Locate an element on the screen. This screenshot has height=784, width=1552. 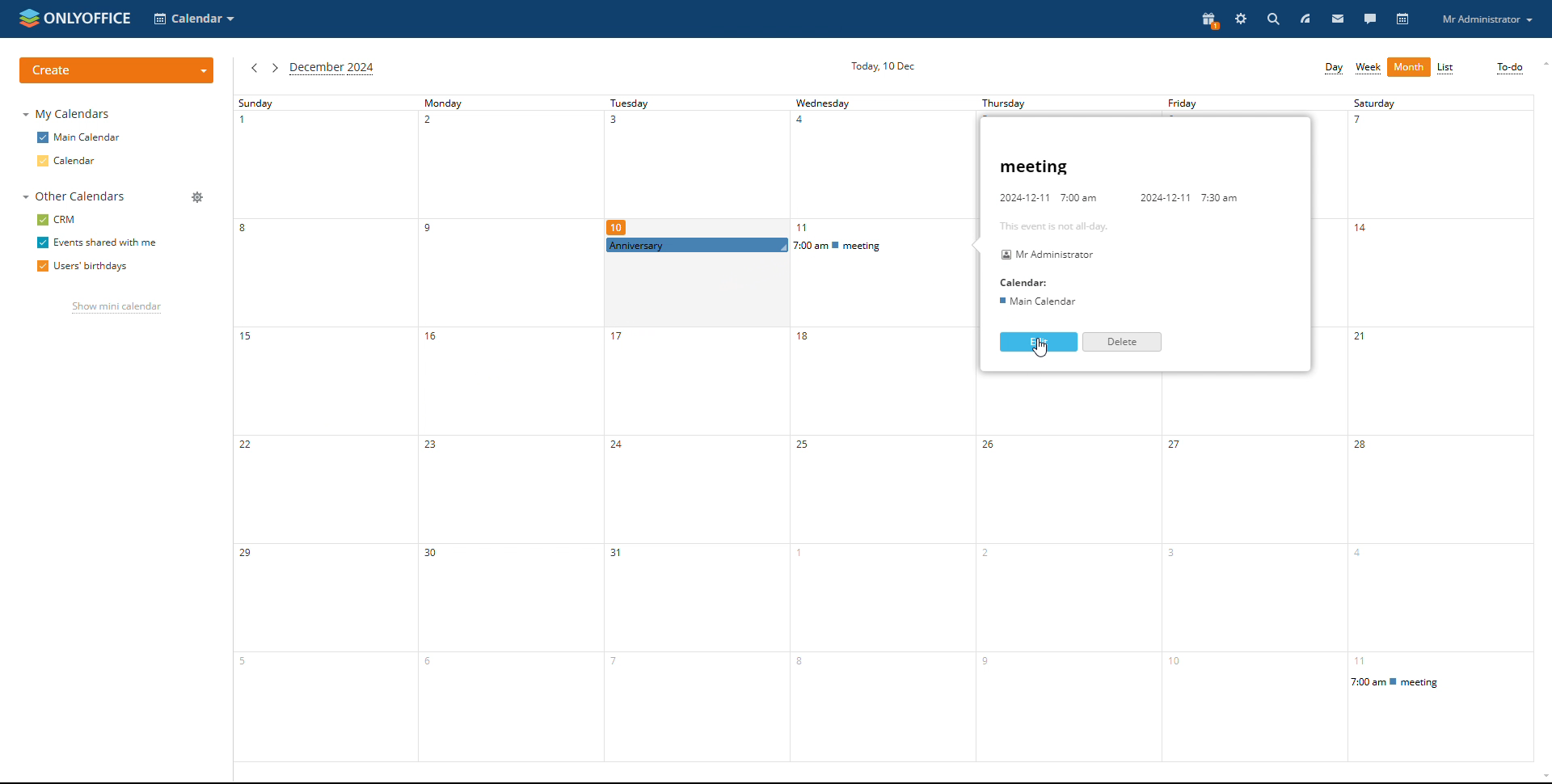
to-do is located at coordinates (1508, 68).